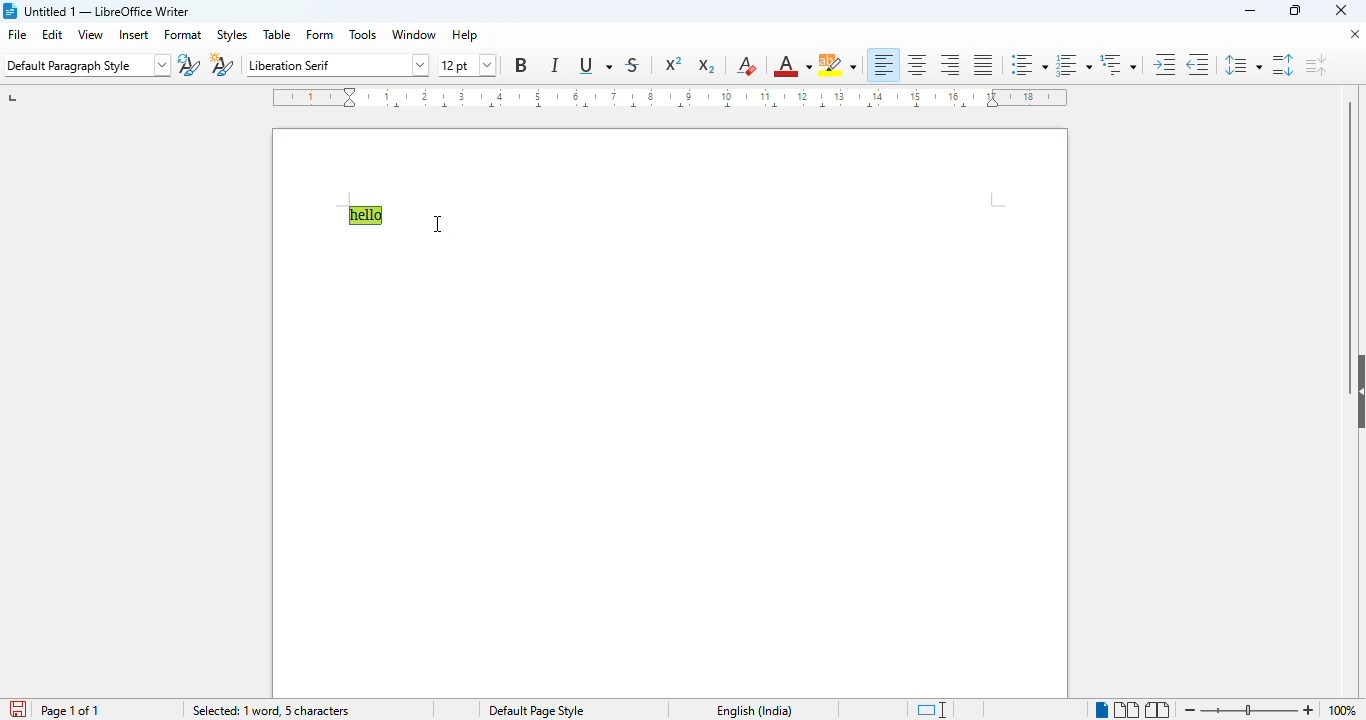 This screenshot has width=1366, height=720. What do you see at coordinates (1349, 37) in the screenshot?
I see `close` at bounding box center [1349, 37].